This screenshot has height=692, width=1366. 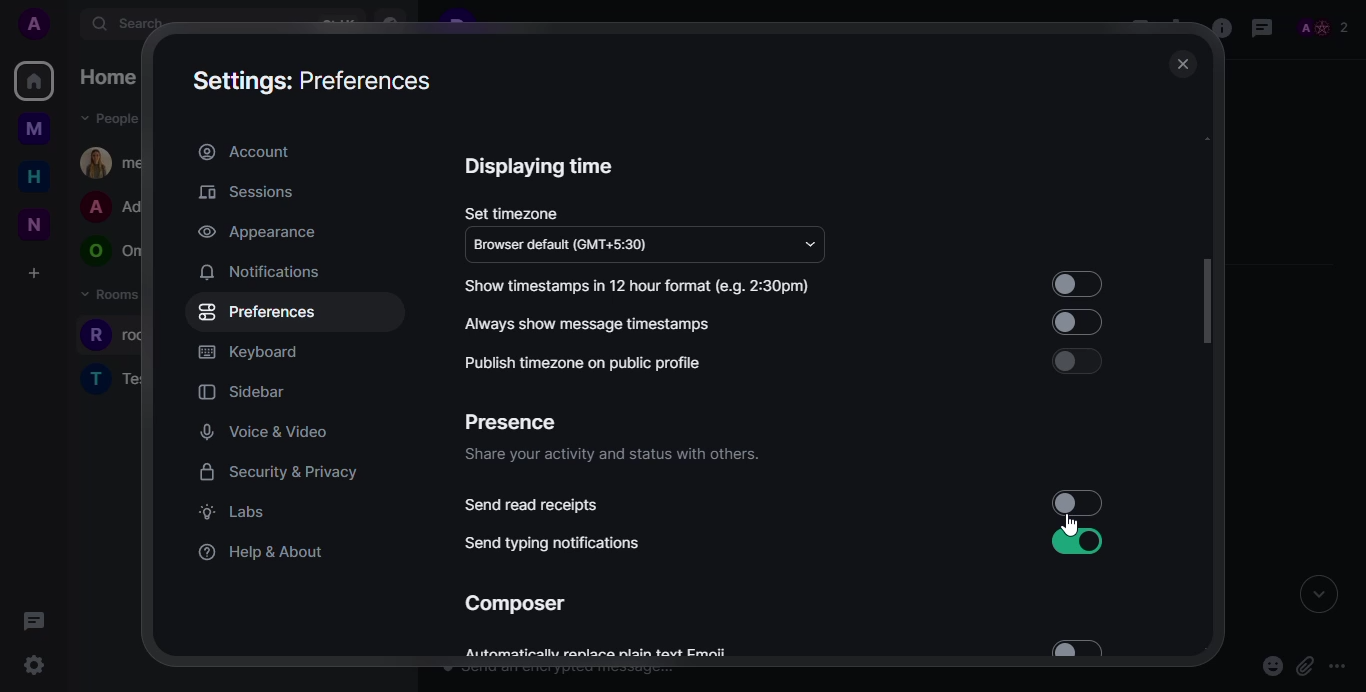 I want to click on sessions, so click(x=246, y=192).